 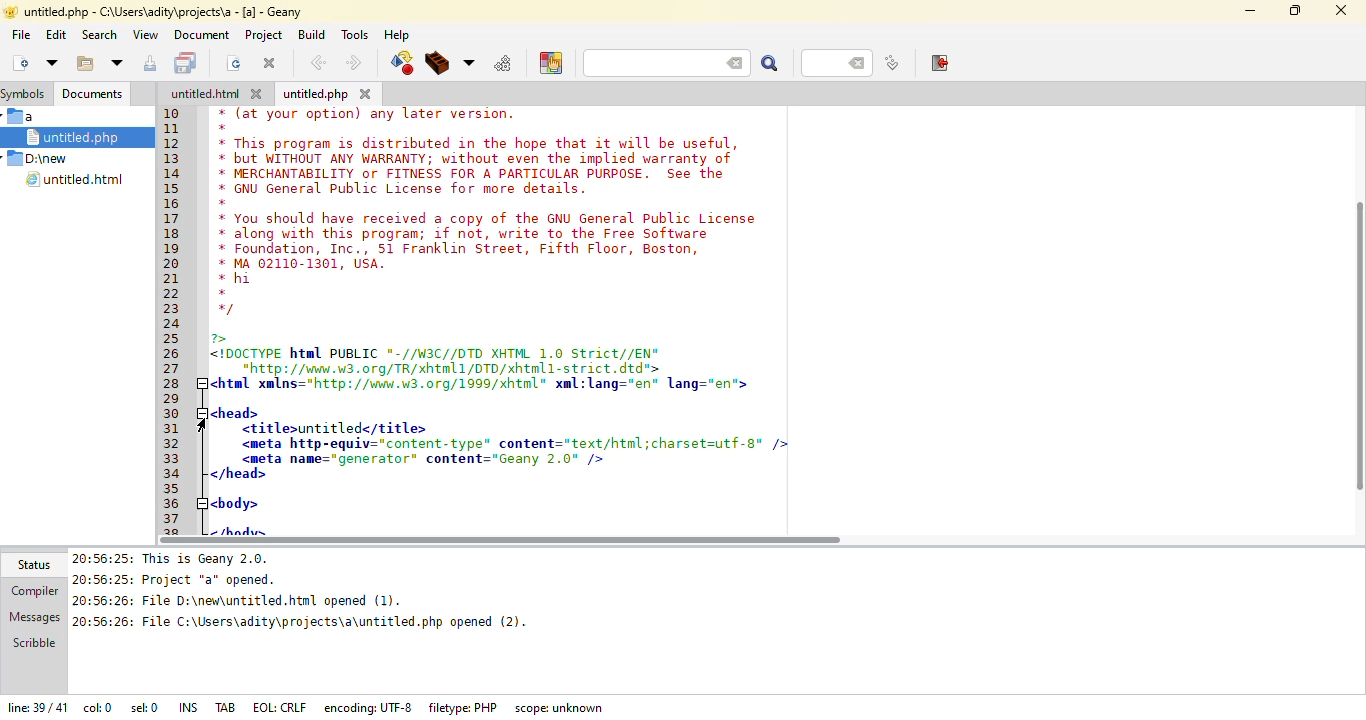 I want to click on collapse, so click(x=205, y=385).